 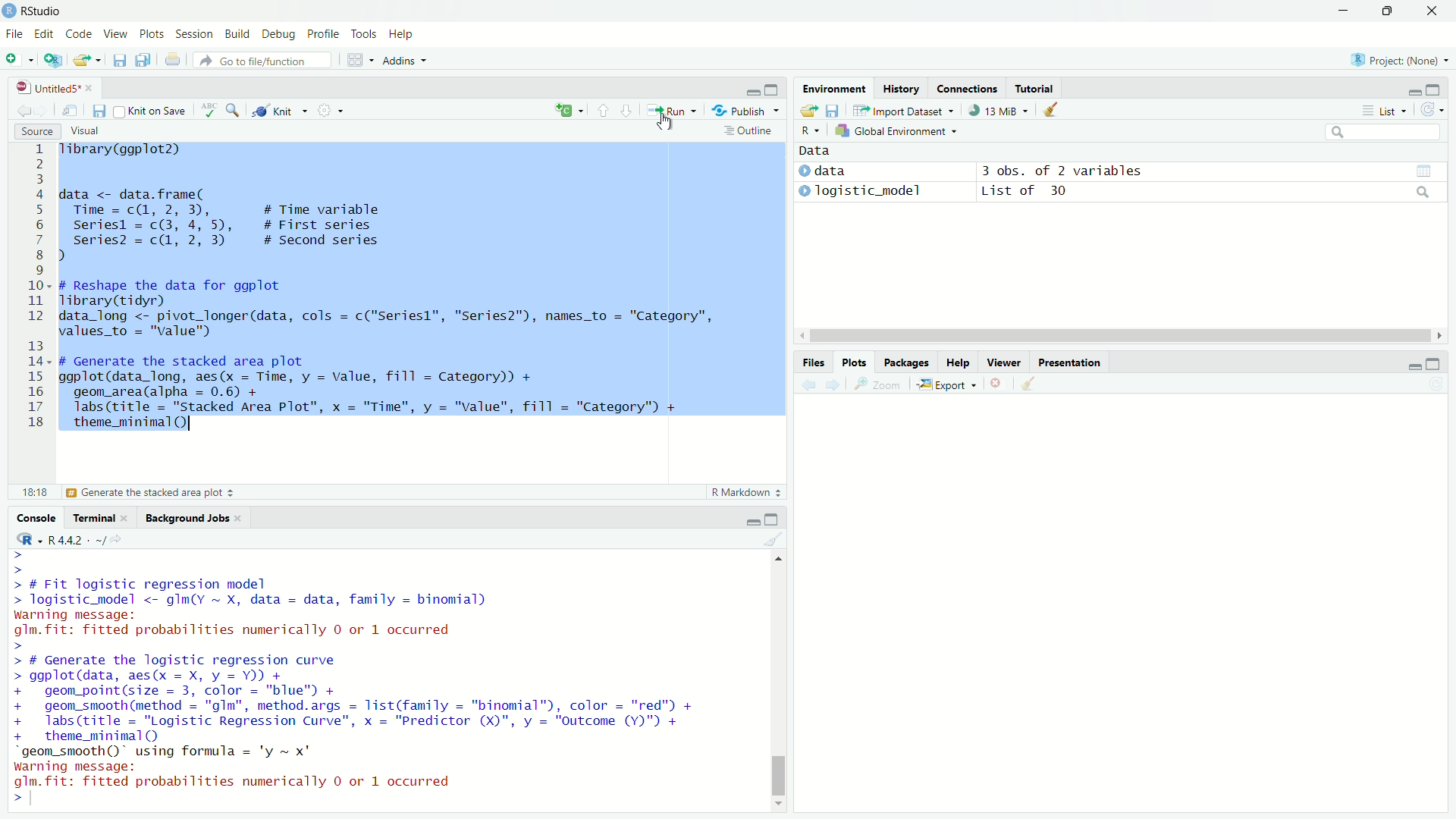 I want to click on scroll bar, so click(x=780, y=679).